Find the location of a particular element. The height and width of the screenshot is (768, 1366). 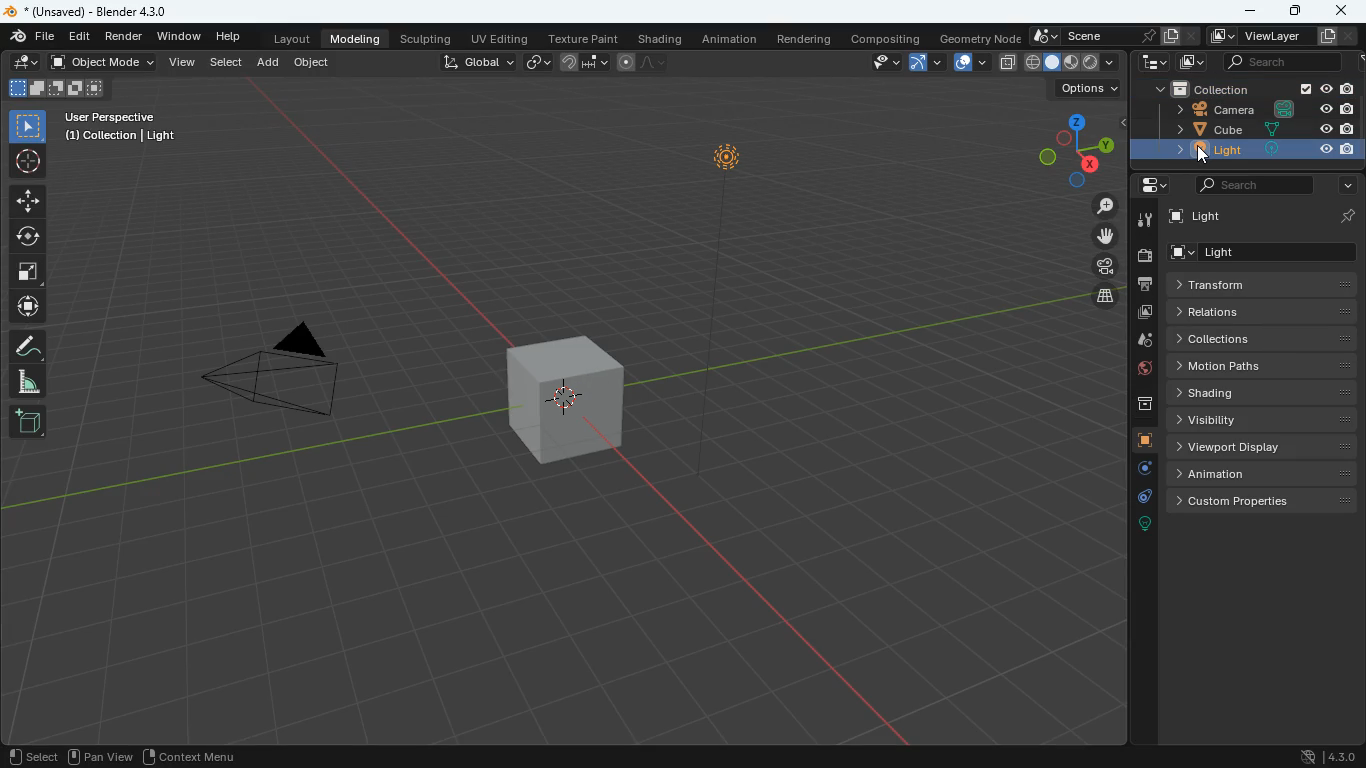

add is located at coordinates (269, 63).